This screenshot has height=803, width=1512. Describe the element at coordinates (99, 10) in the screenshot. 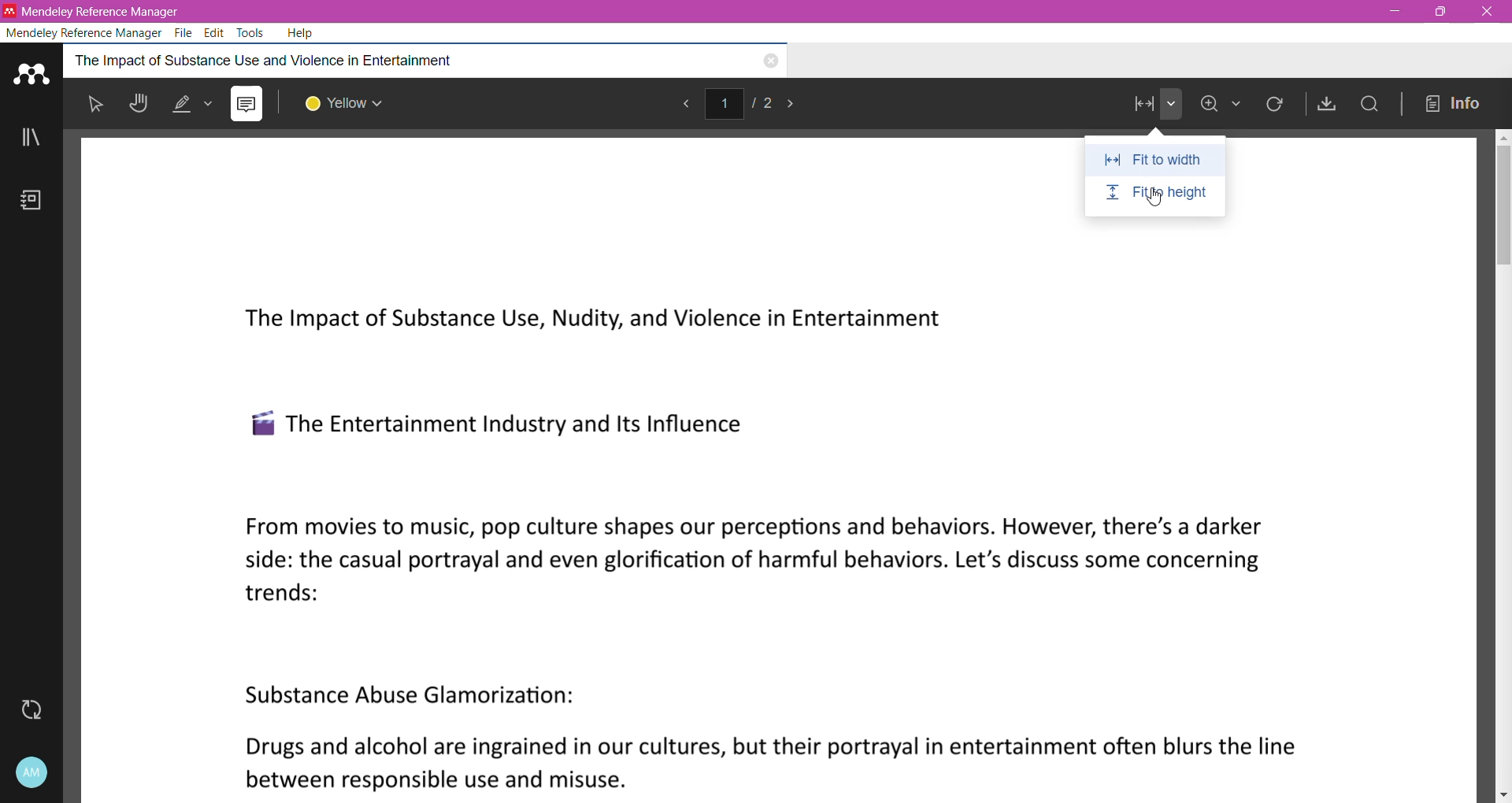

I see `Application Name` at that location.